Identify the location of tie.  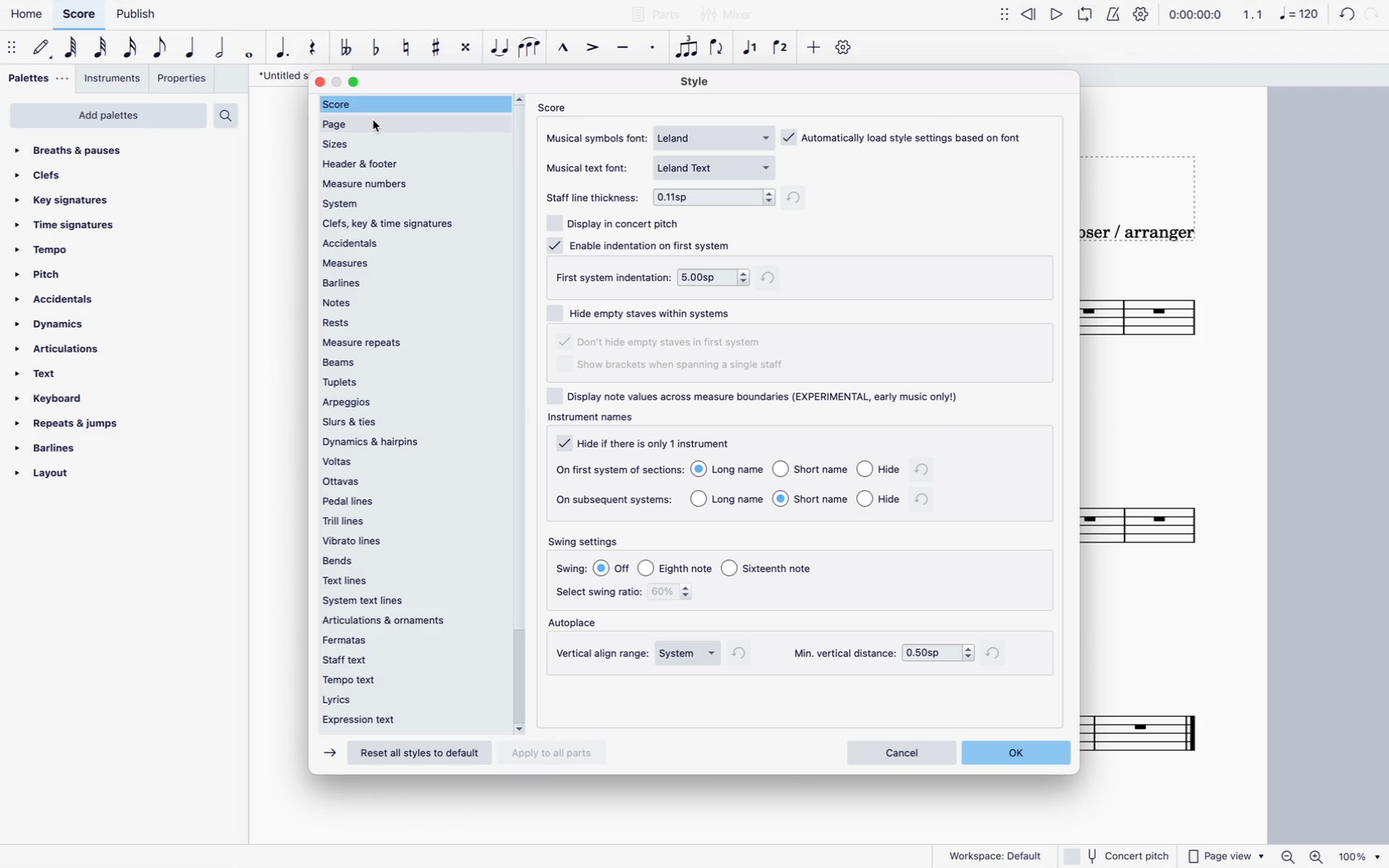
(500, 51).